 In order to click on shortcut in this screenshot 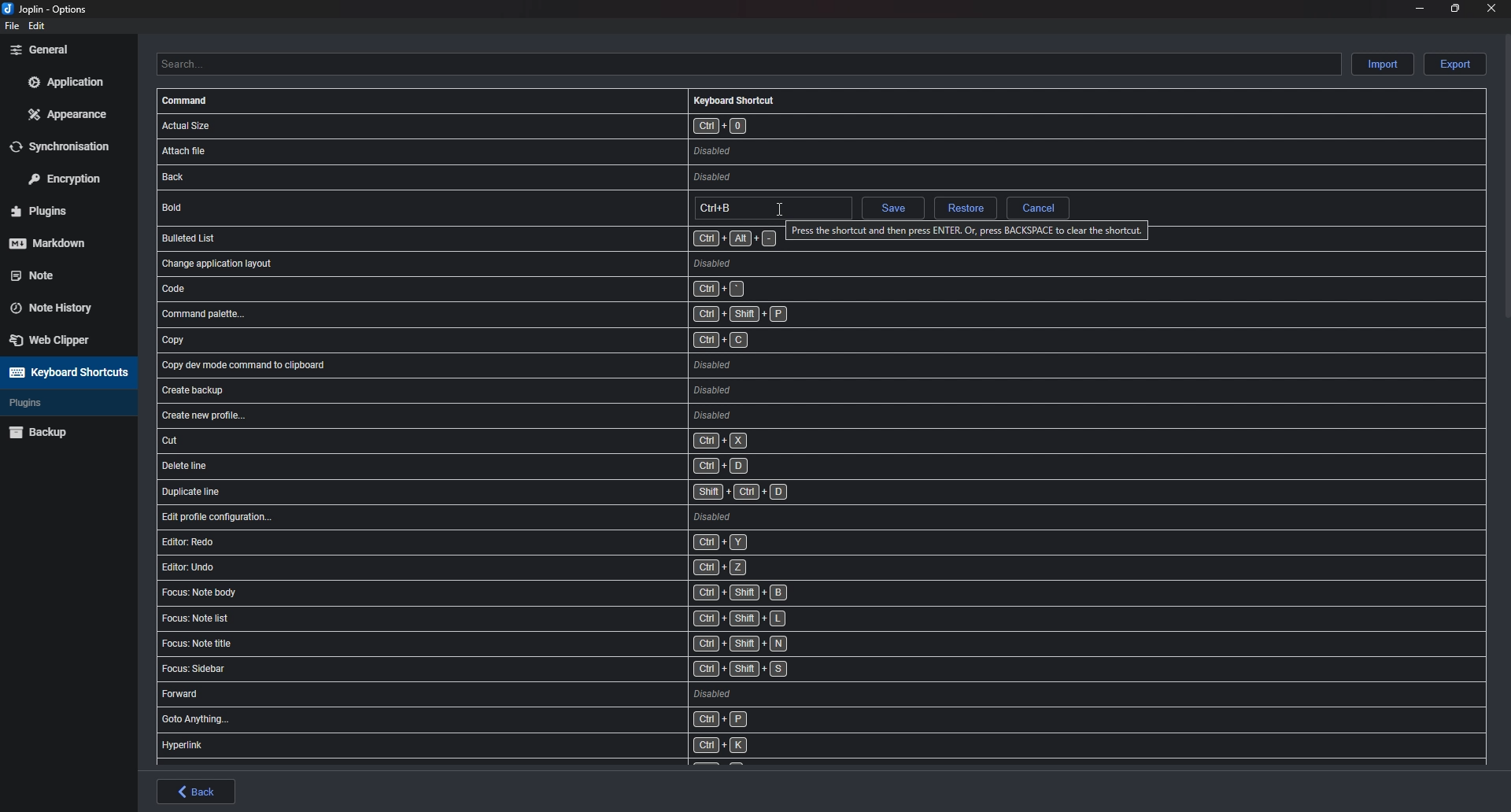, I will do `click(537, 466)`.